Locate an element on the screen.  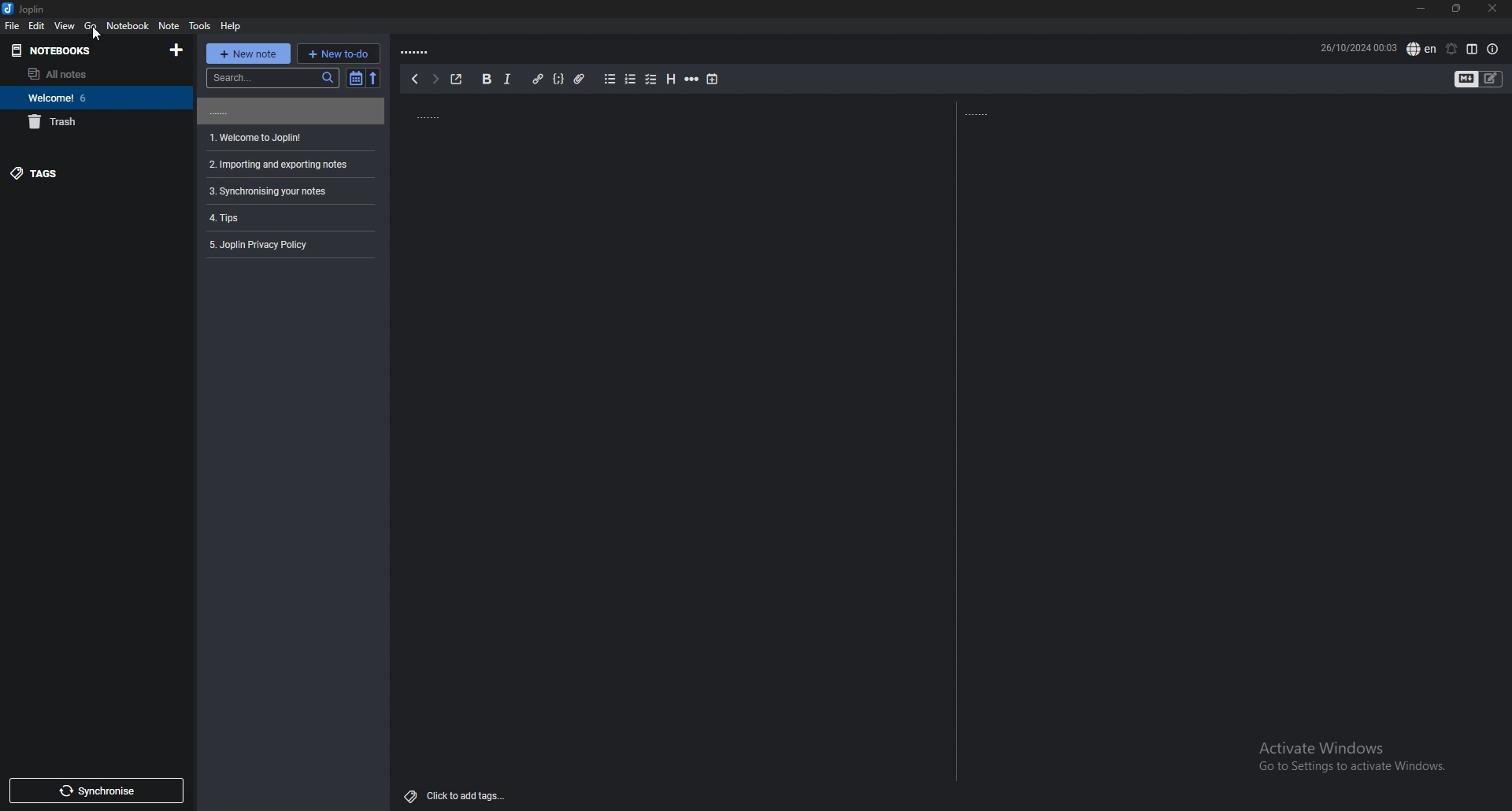
toggle external editing is located at coordinates (456, 79).